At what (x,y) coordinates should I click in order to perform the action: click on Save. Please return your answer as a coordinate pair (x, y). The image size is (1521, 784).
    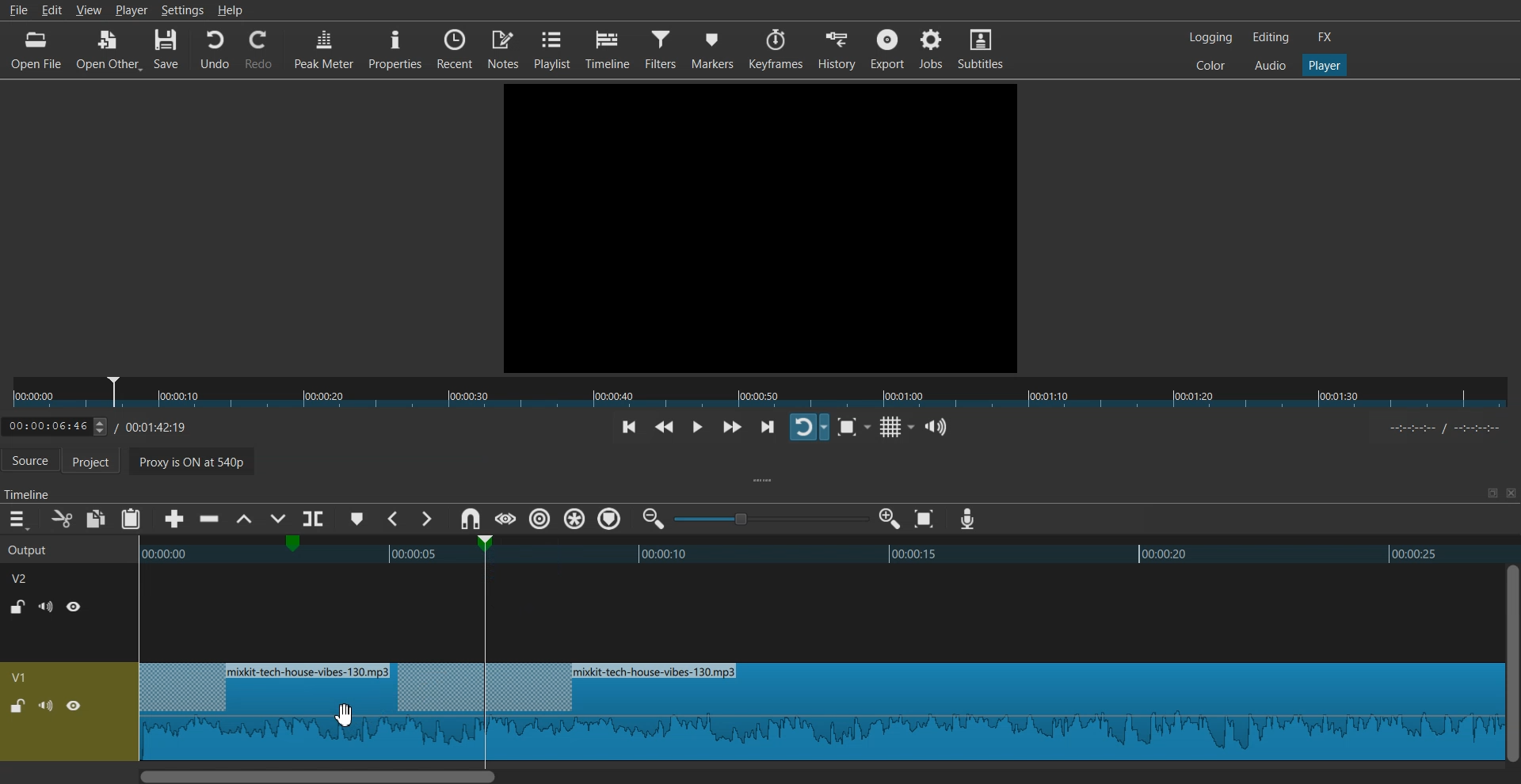
    Looking at the image, I should click on (167, 50).